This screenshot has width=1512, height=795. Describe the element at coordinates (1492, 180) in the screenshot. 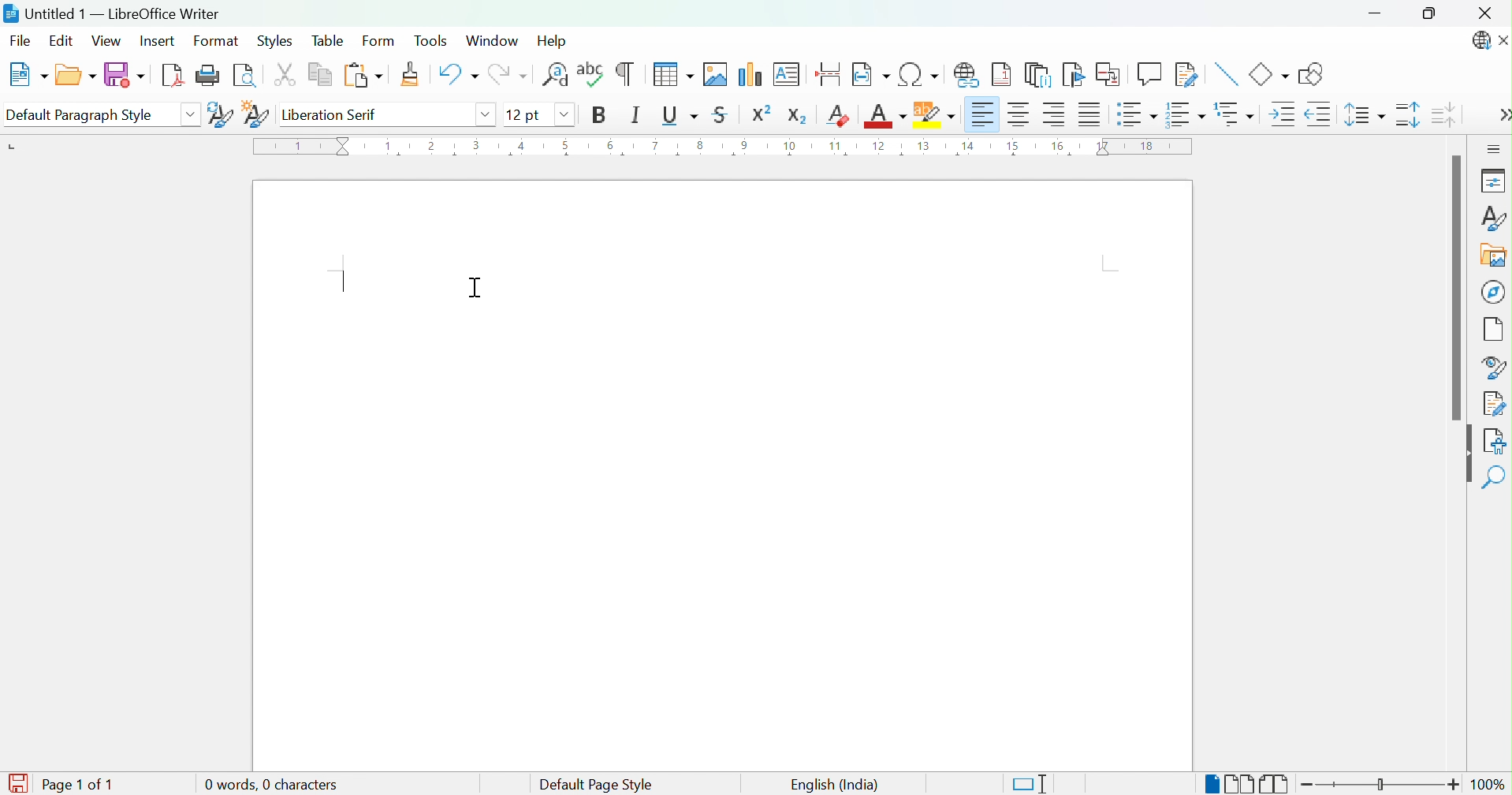

I see `Properties` at that location.